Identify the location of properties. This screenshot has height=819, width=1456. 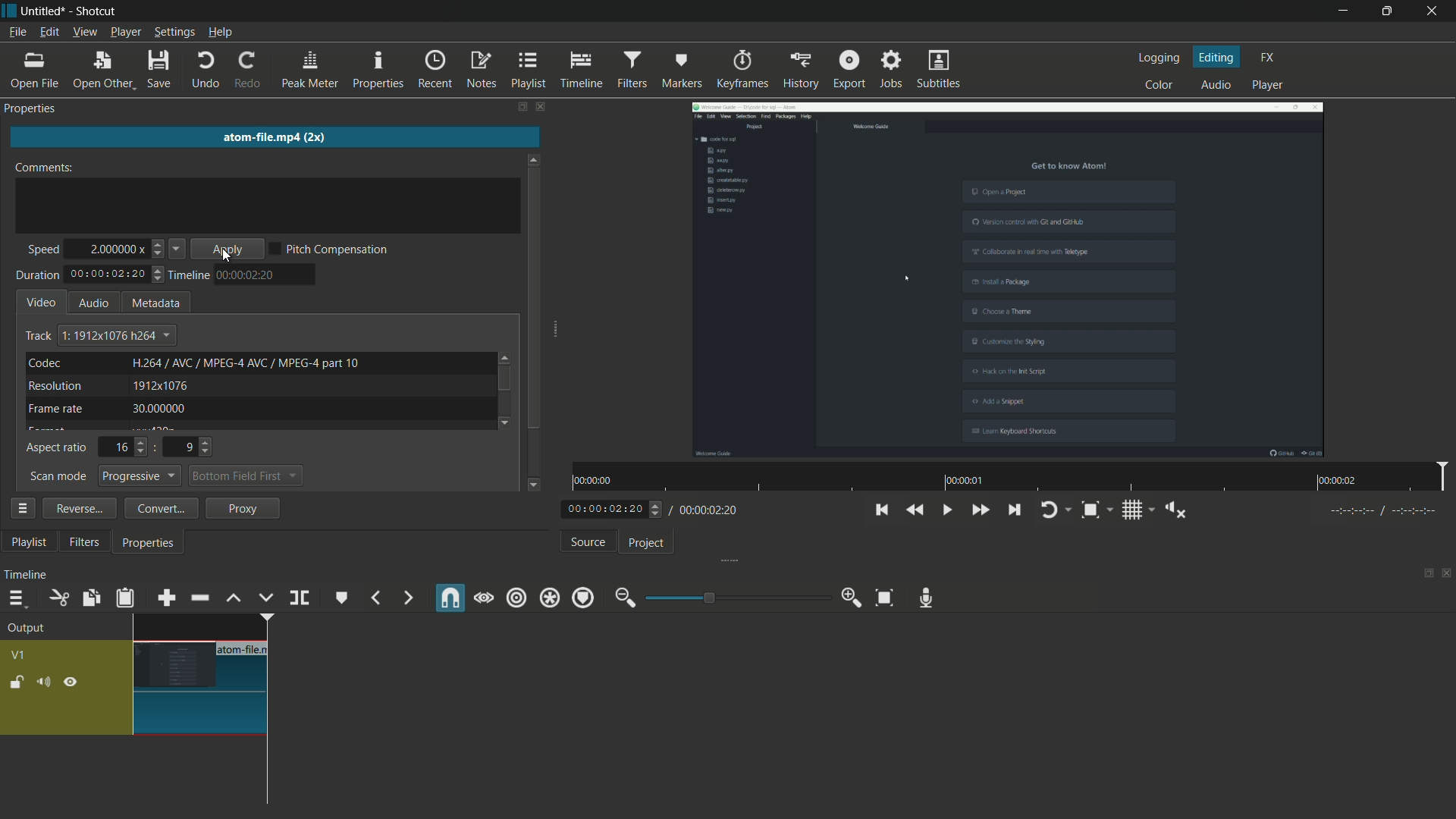
(151, 542).